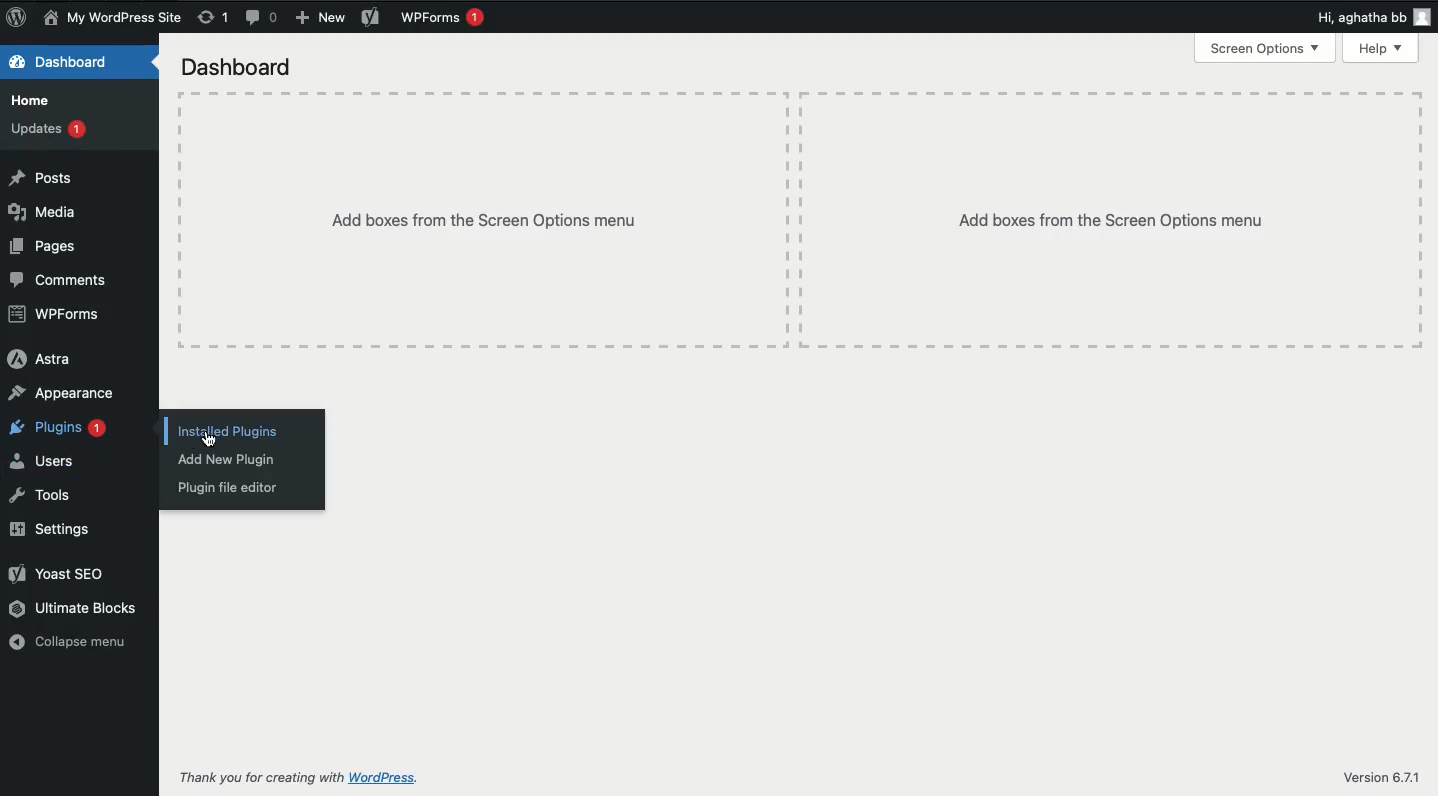 The width and height of the screenshot is (1438, 796). What do you see at coordinates (37, 99) in the screenshot?
I see `Home` at bounding box center [37, 99].